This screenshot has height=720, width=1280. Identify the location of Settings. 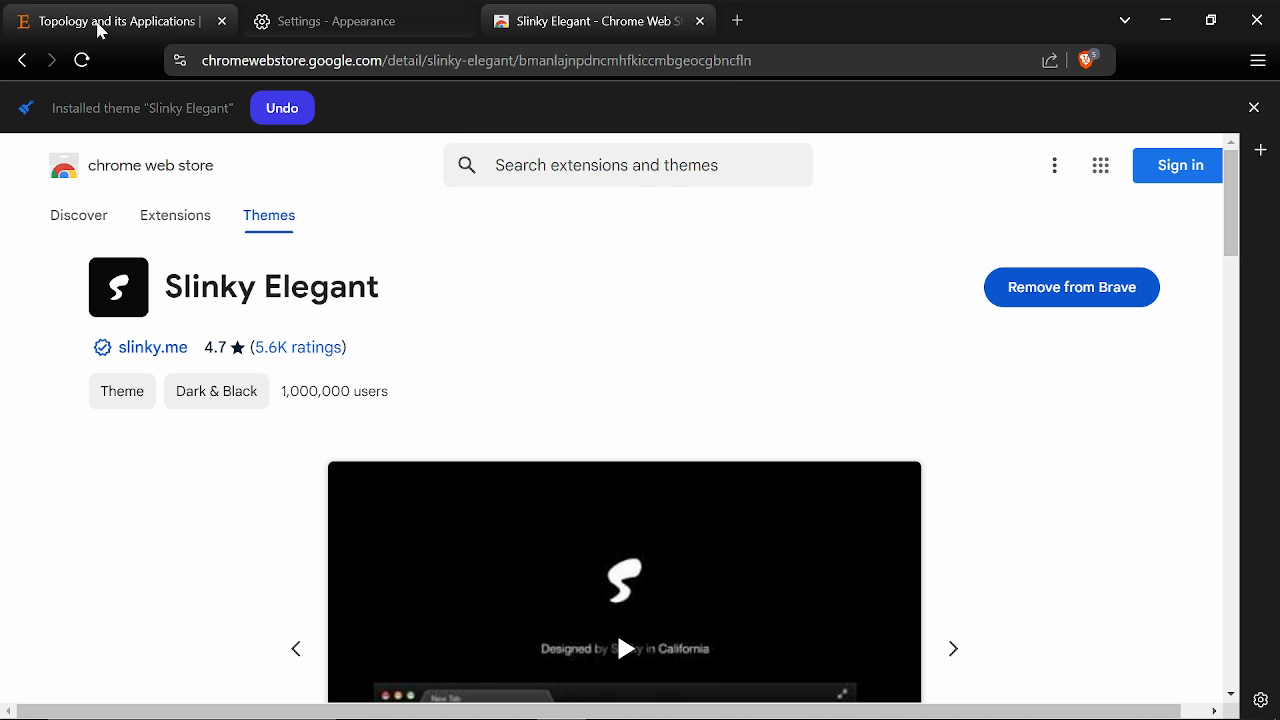
(1261, 699).